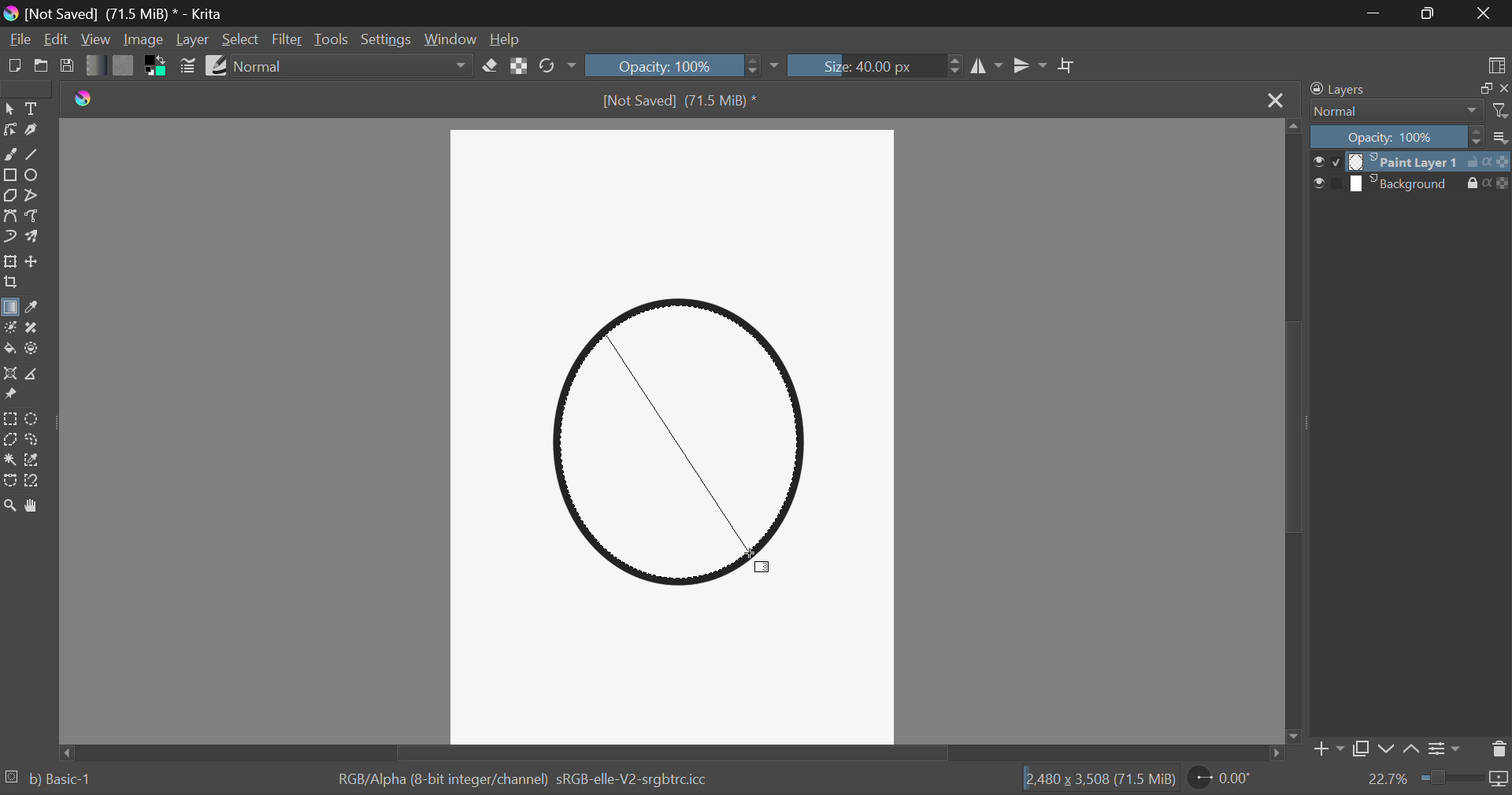 This screenshot has height=795, width=1512. Describe the element at coordinates (1430, 14) in the screenshot. I see `Minimize` at that location.